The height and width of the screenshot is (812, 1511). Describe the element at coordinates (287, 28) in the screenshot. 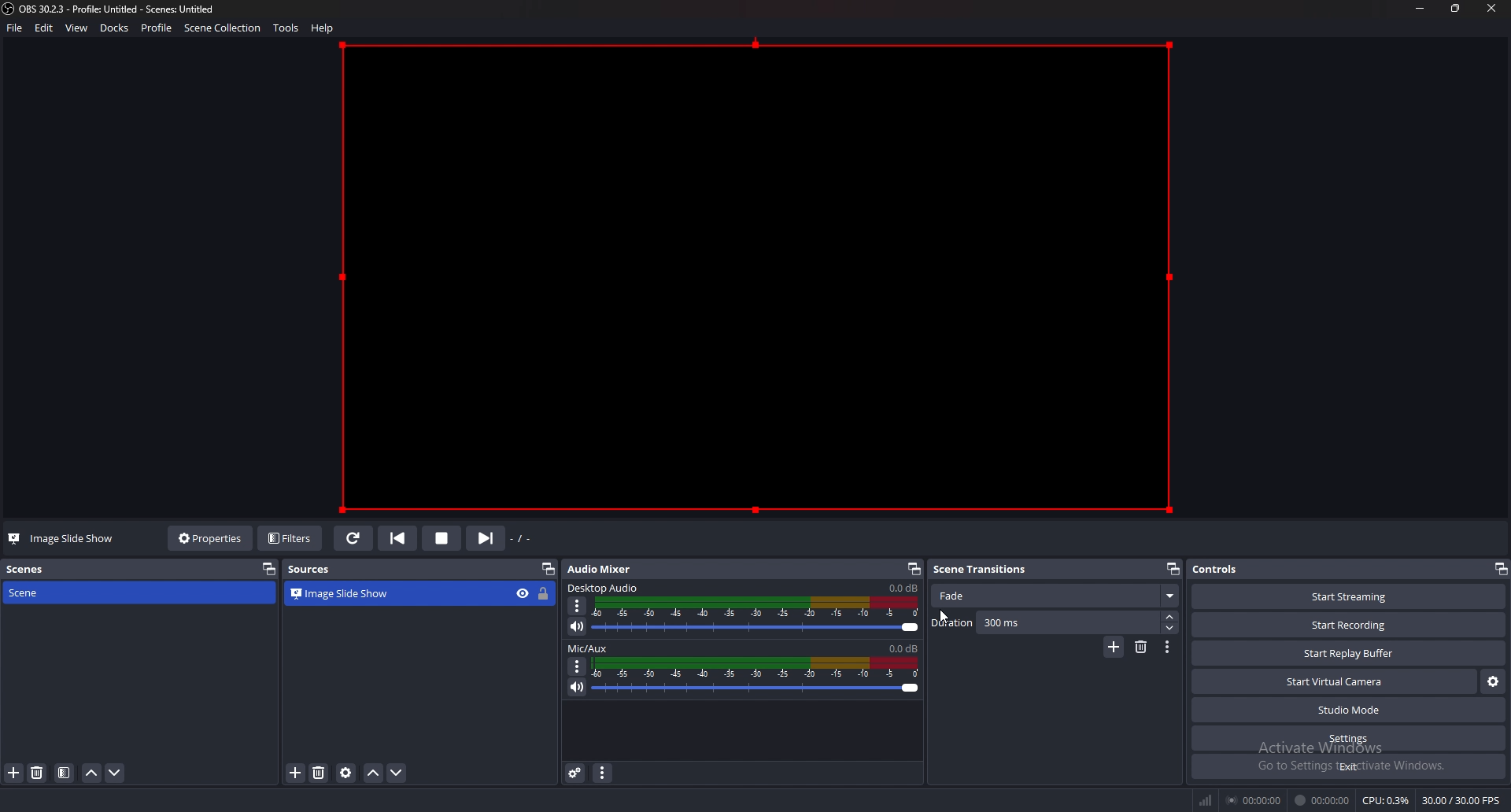

I see `tools` at that location.